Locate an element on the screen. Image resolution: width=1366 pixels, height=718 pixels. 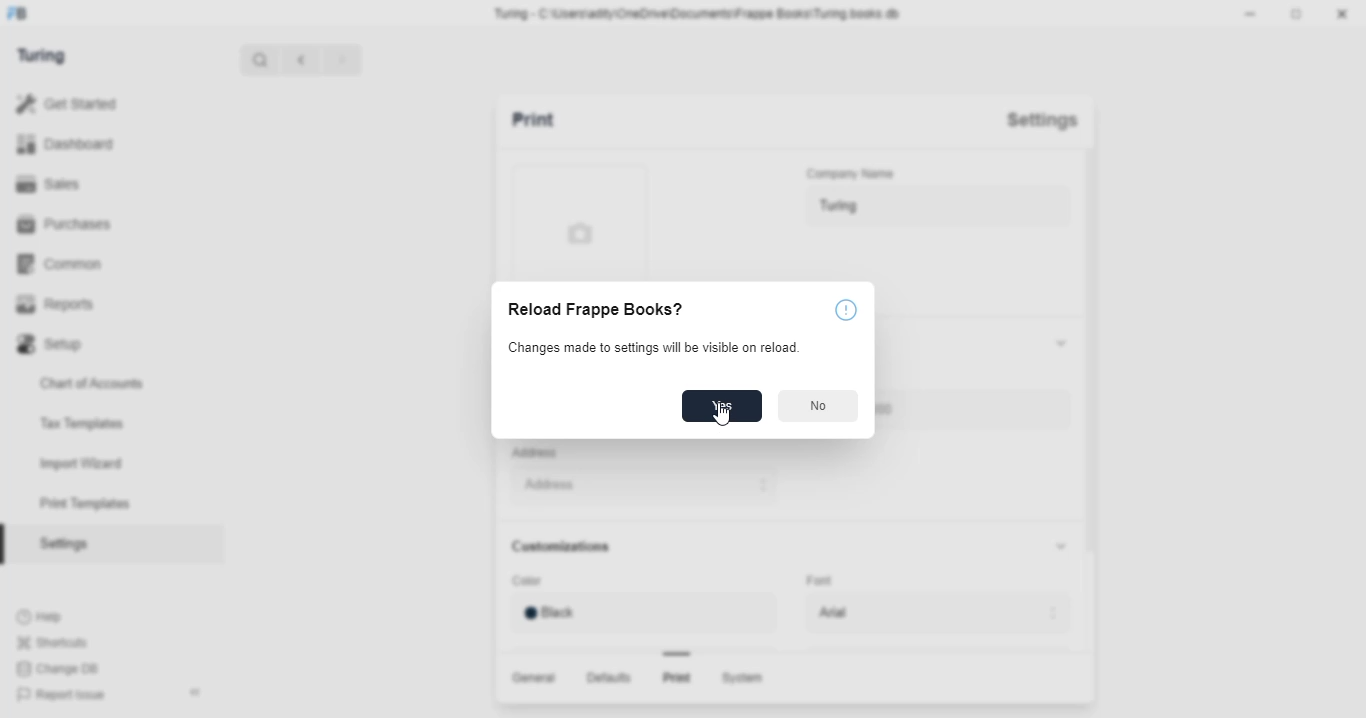
Chart of Accounts. is located at coordinates (109, 384).